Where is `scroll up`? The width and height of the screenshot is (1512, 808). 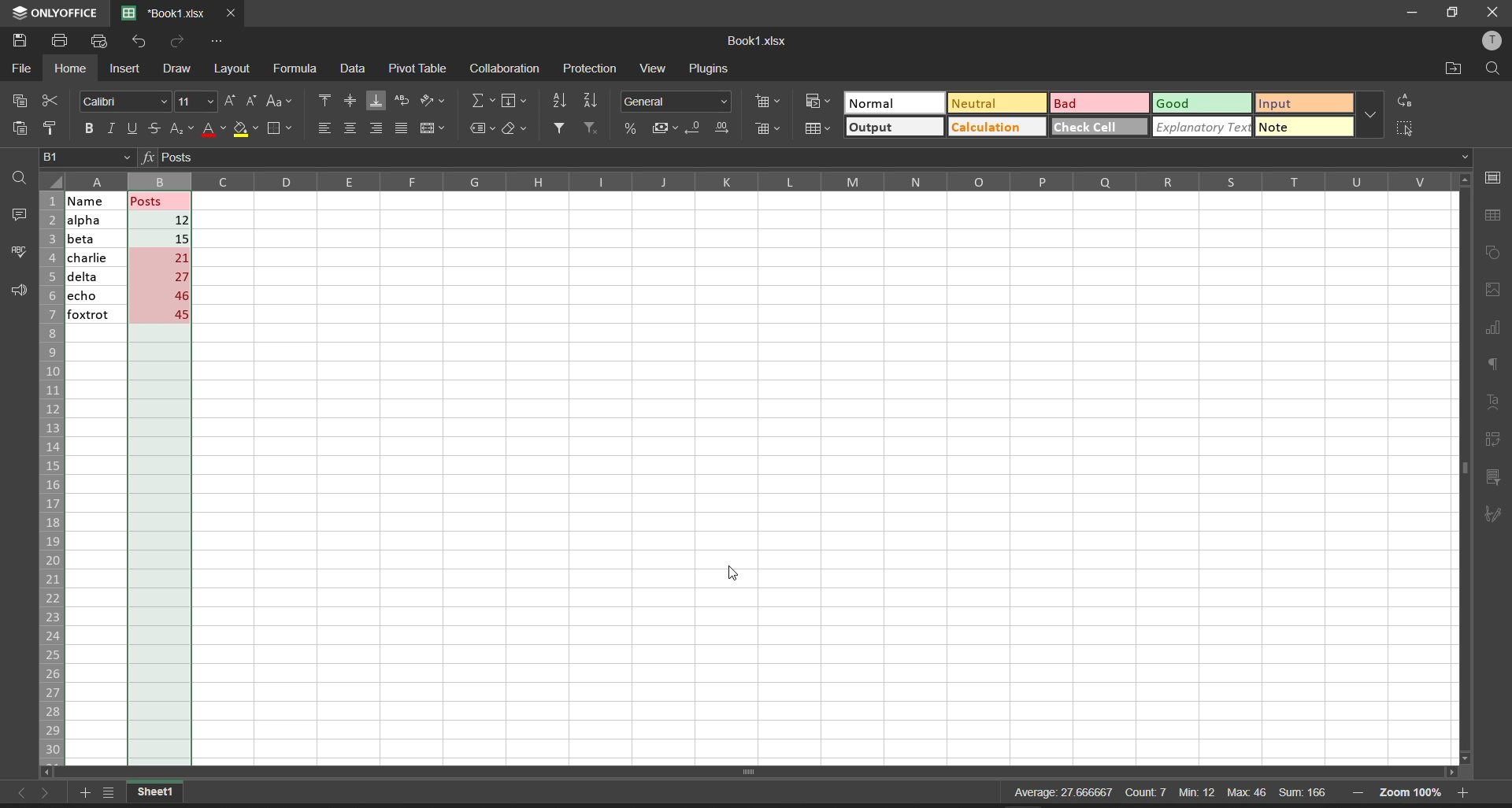 scroll up is located at coordinates (1466, 182).